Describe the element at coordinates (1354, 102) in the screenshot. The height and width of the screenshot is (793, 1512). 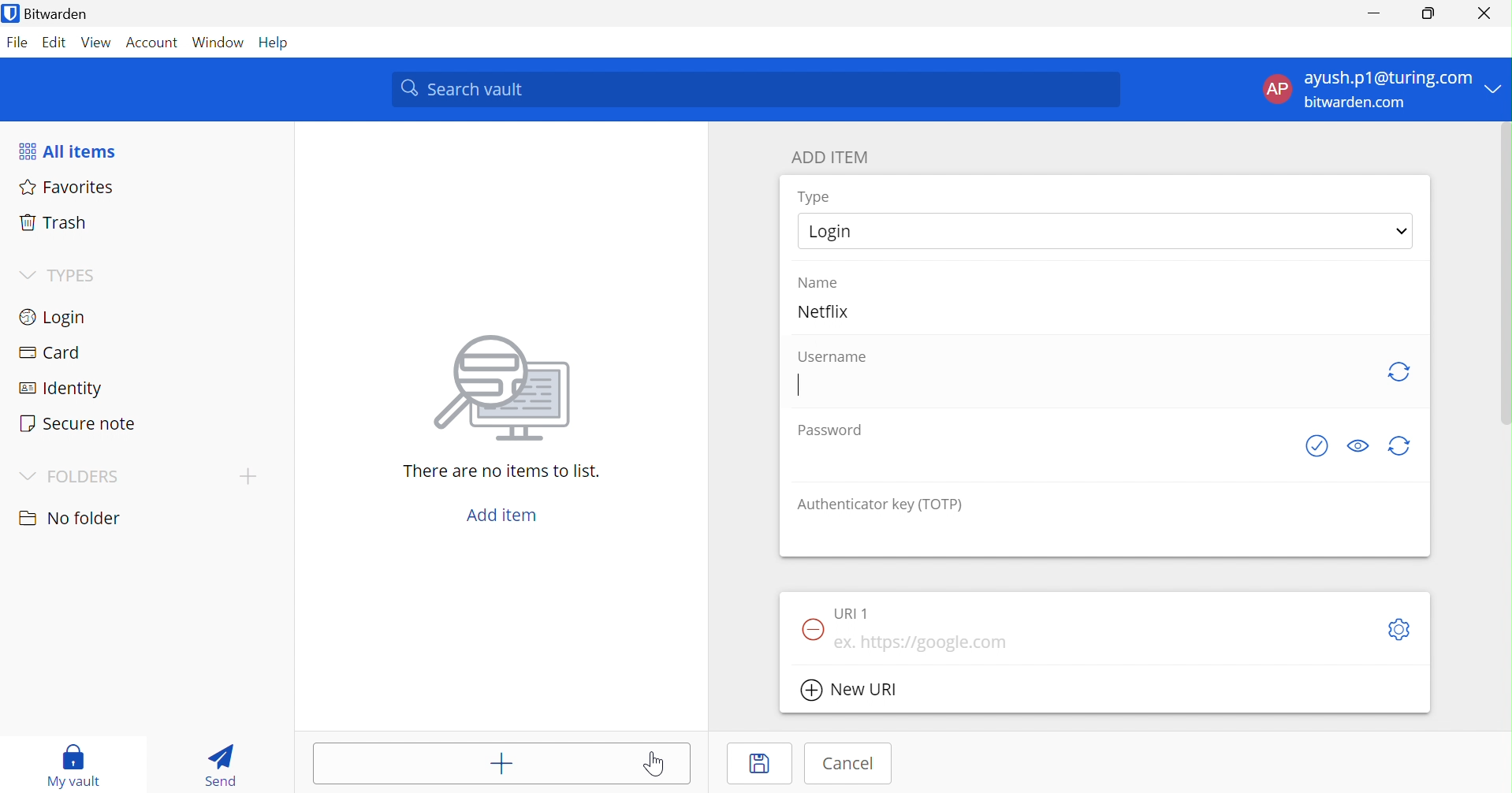
I see `bitwarden.com` at that location.